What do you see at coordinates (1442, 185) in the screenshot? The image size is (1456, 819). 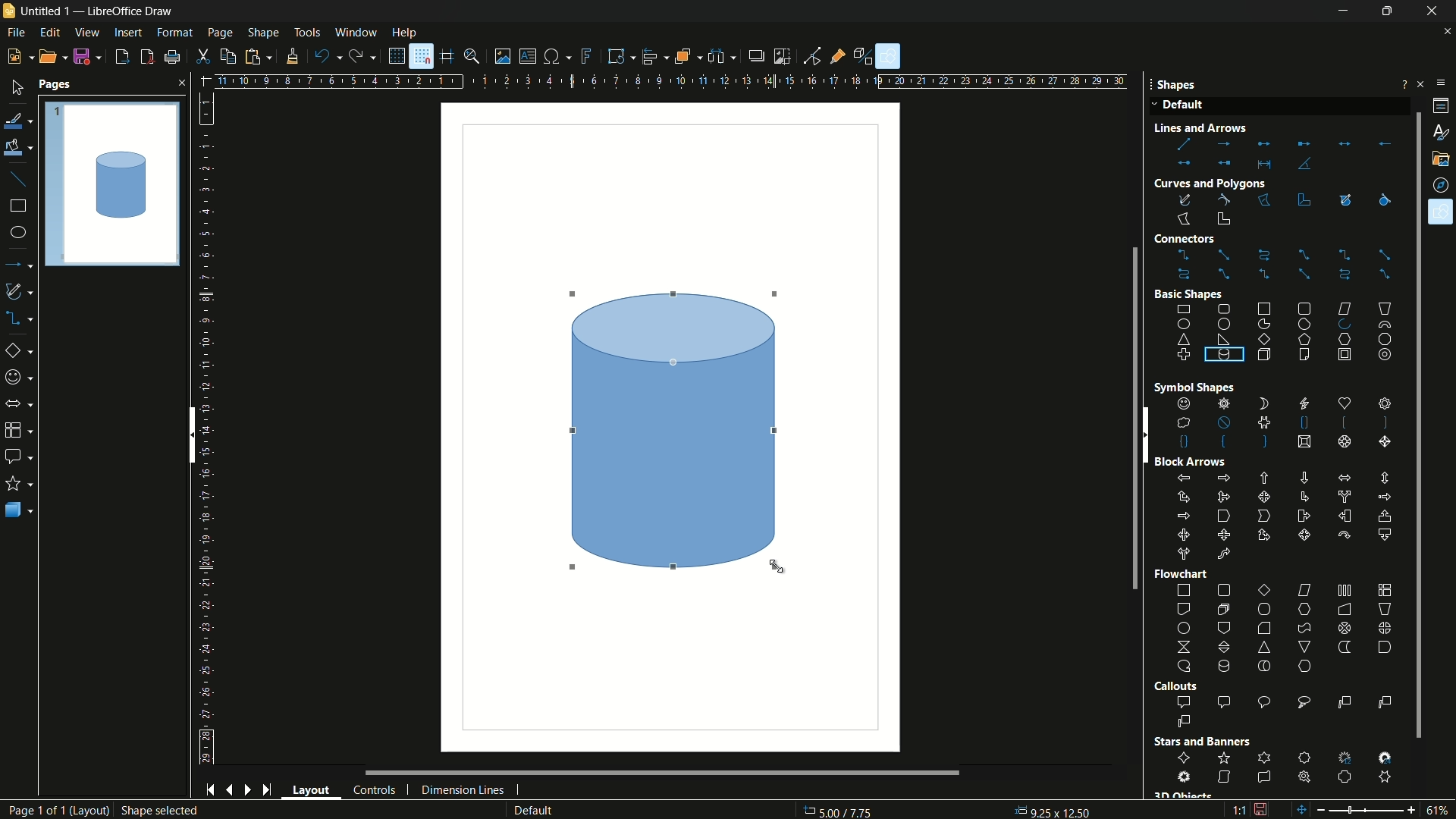 I see `navigator` at bounding box center [1442, 185].